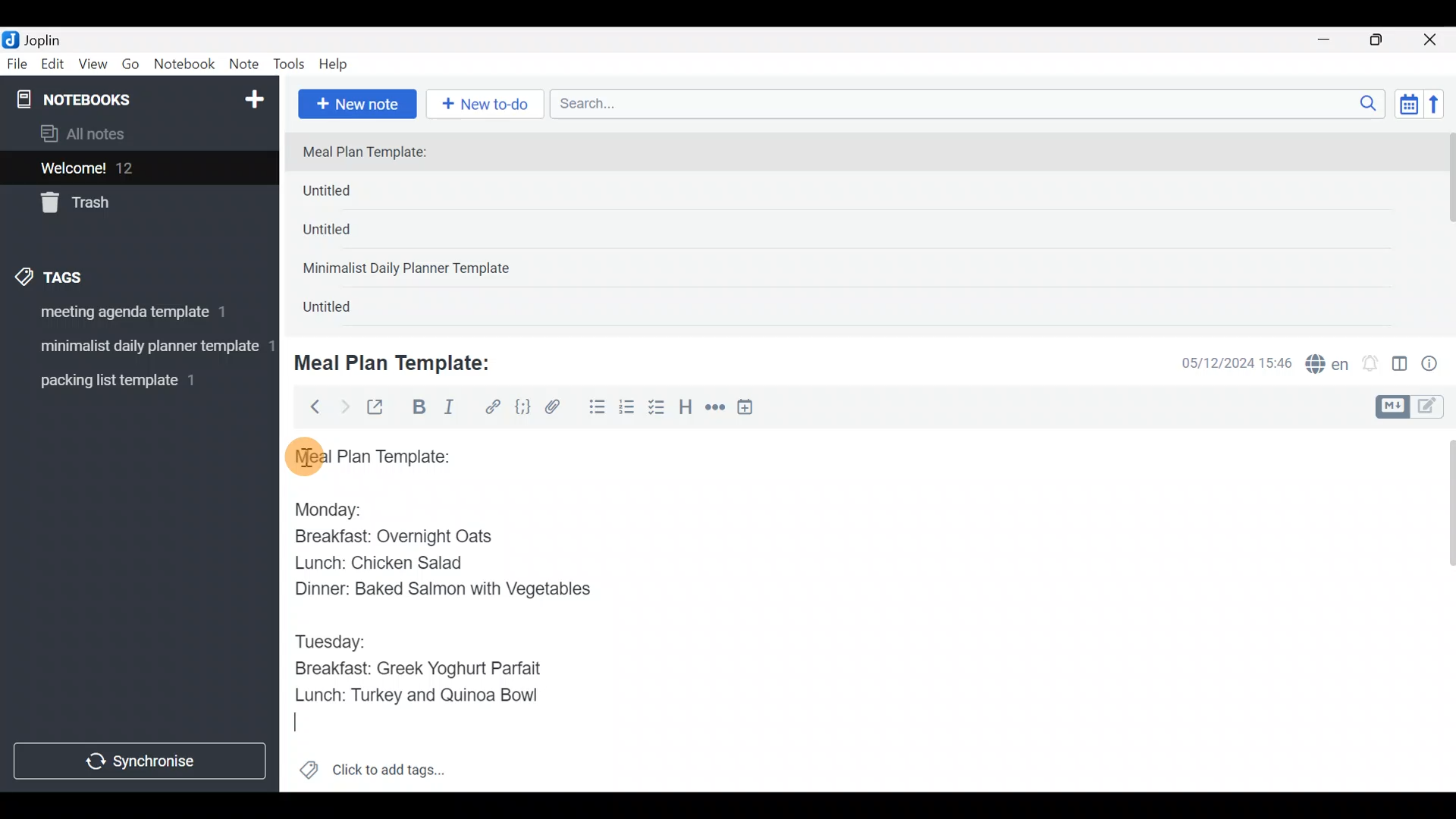 This screenshot has width=1456, height=819. Describe the element at coordinates (303, 456) in the screenshot. I see `cursor` at that location.